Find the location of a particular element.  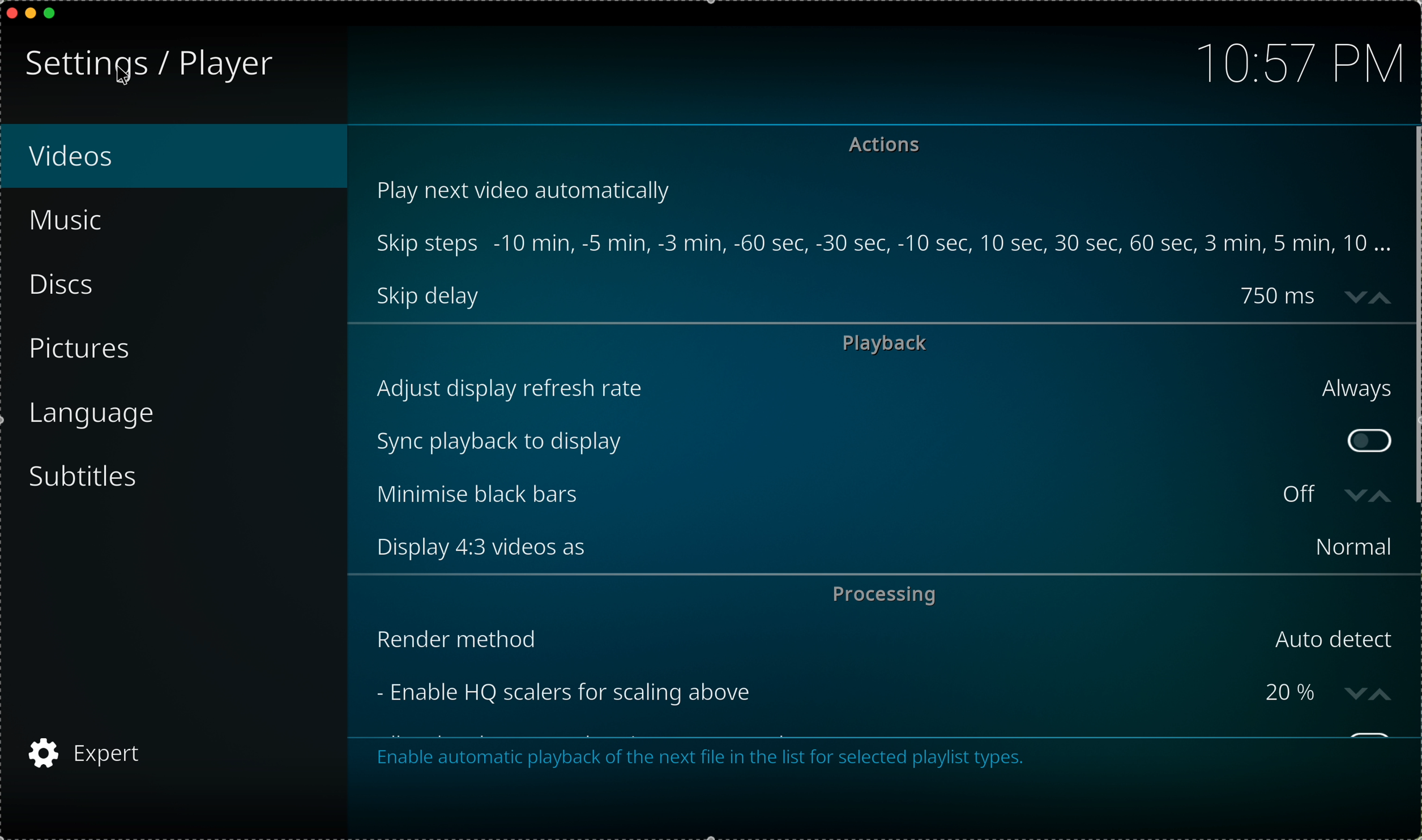

Enable automatic playback of the next file in the list for selected playlist types. is located at coordinates (702, 760).